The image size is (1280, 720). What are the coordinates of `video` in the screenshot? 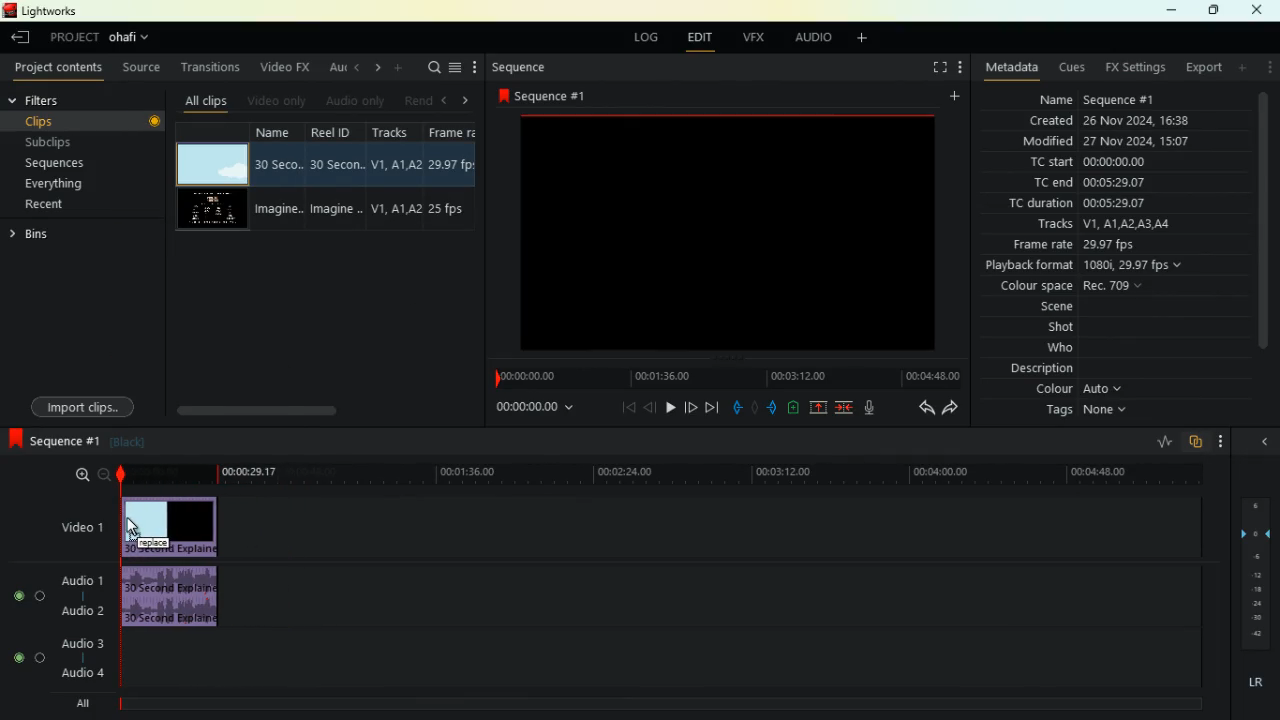 It's located at (210, 210).